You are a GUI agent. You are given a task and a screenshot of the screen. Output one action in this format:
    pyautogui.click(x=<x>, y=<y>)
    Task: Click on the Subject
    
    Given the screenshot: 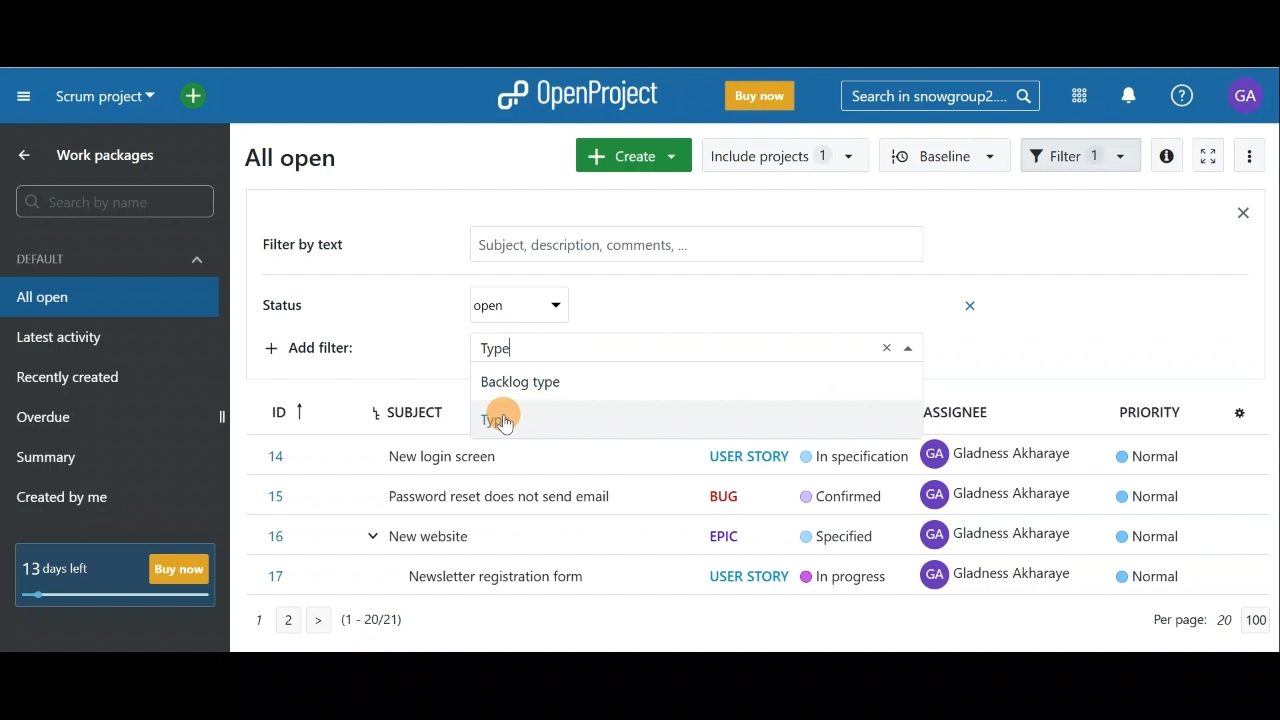 What is the action you would take?
    pyautogui.click(x=407, y=412)
    